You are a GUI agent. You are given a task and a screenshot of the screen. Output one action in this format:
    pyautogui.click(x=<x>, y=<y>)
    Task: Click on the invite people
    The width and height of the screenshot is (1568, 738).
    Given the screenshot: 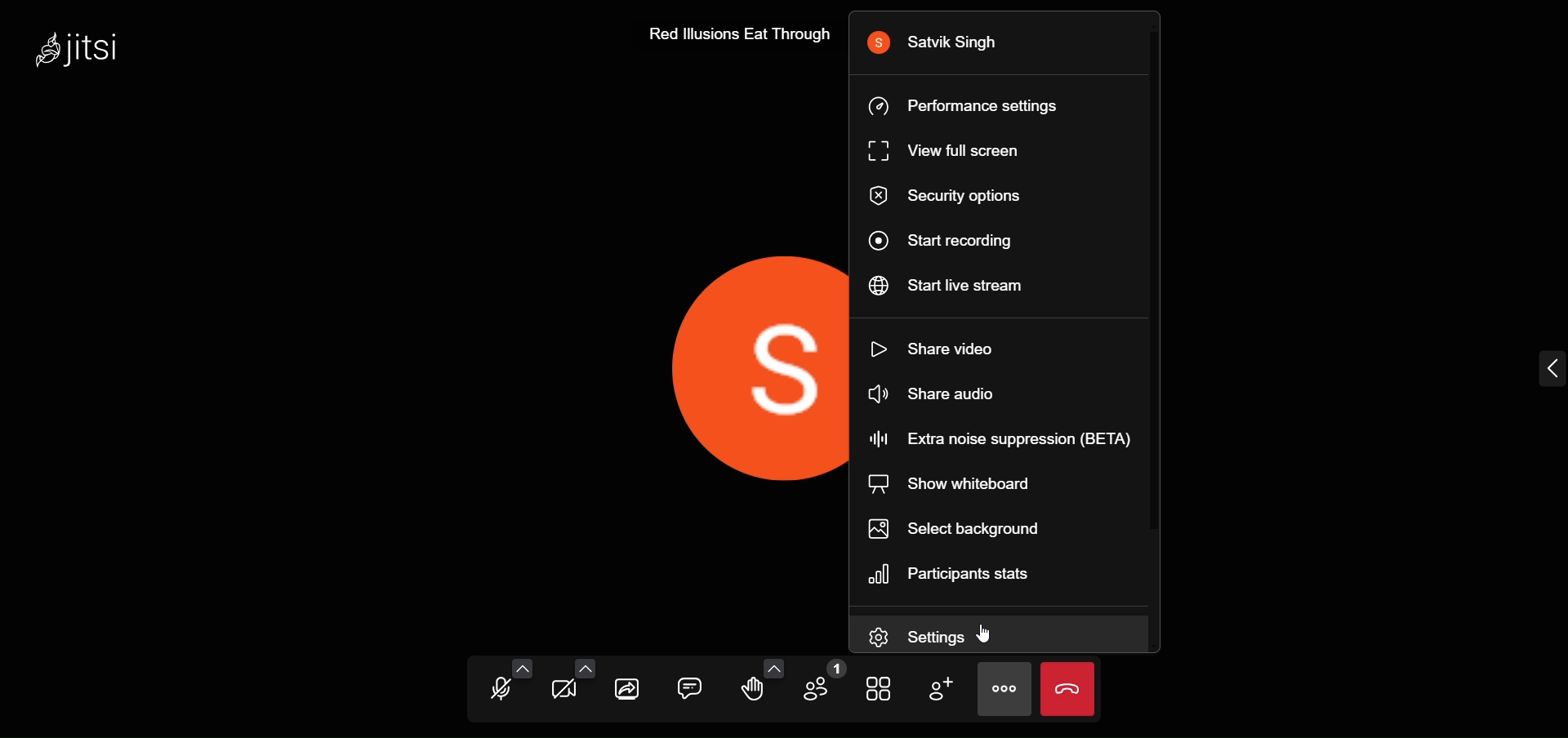 What is the action you would take?
    pyautogui.click(x=940, y=688)
    